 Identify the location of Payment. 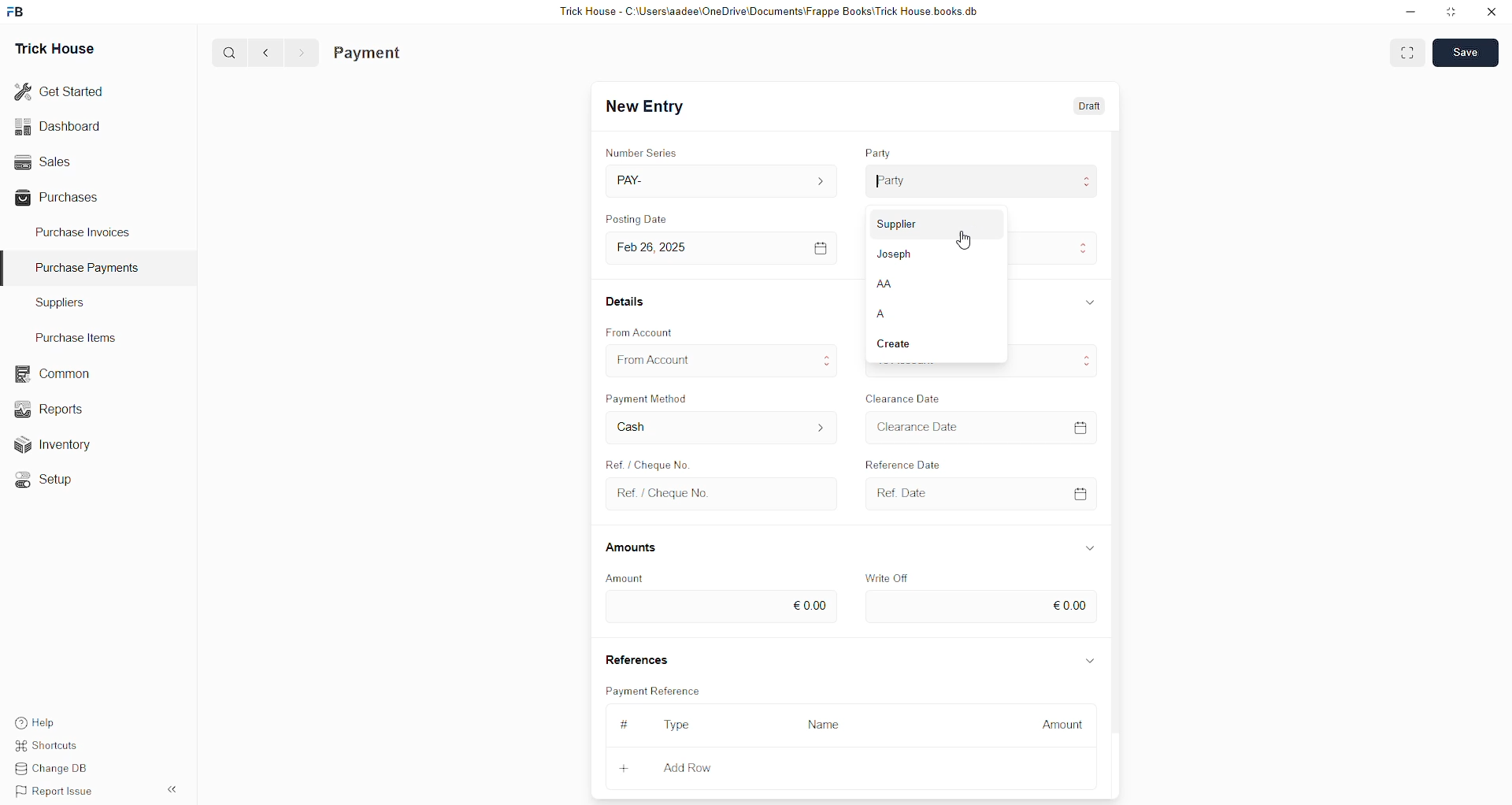
(370, 52).